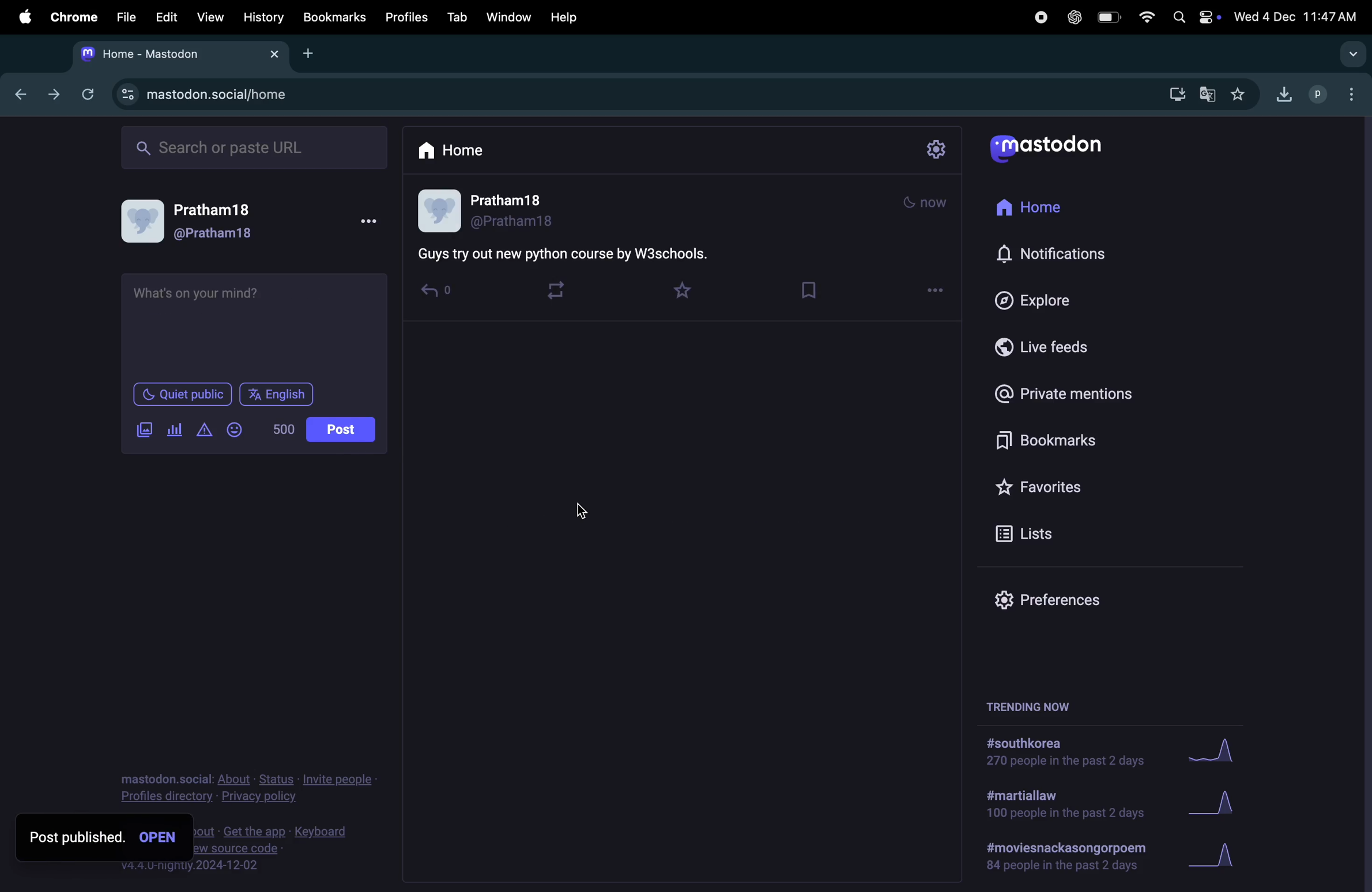 This screenshot has width=1372, height=892. I want to click on View, so click(210, 17).